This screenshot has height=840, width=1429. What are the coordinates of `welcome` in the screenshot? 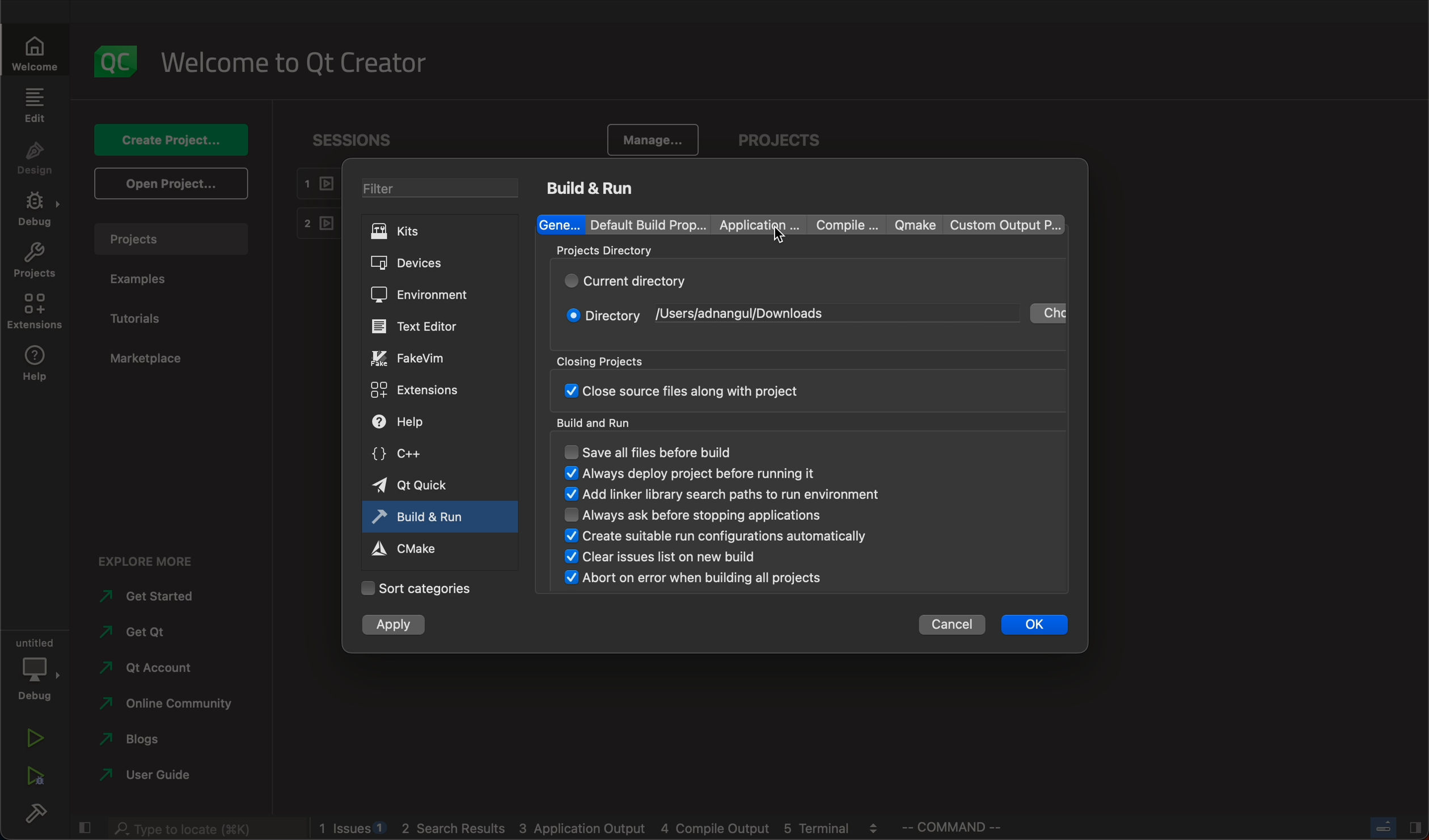 It's located at (34, 51).